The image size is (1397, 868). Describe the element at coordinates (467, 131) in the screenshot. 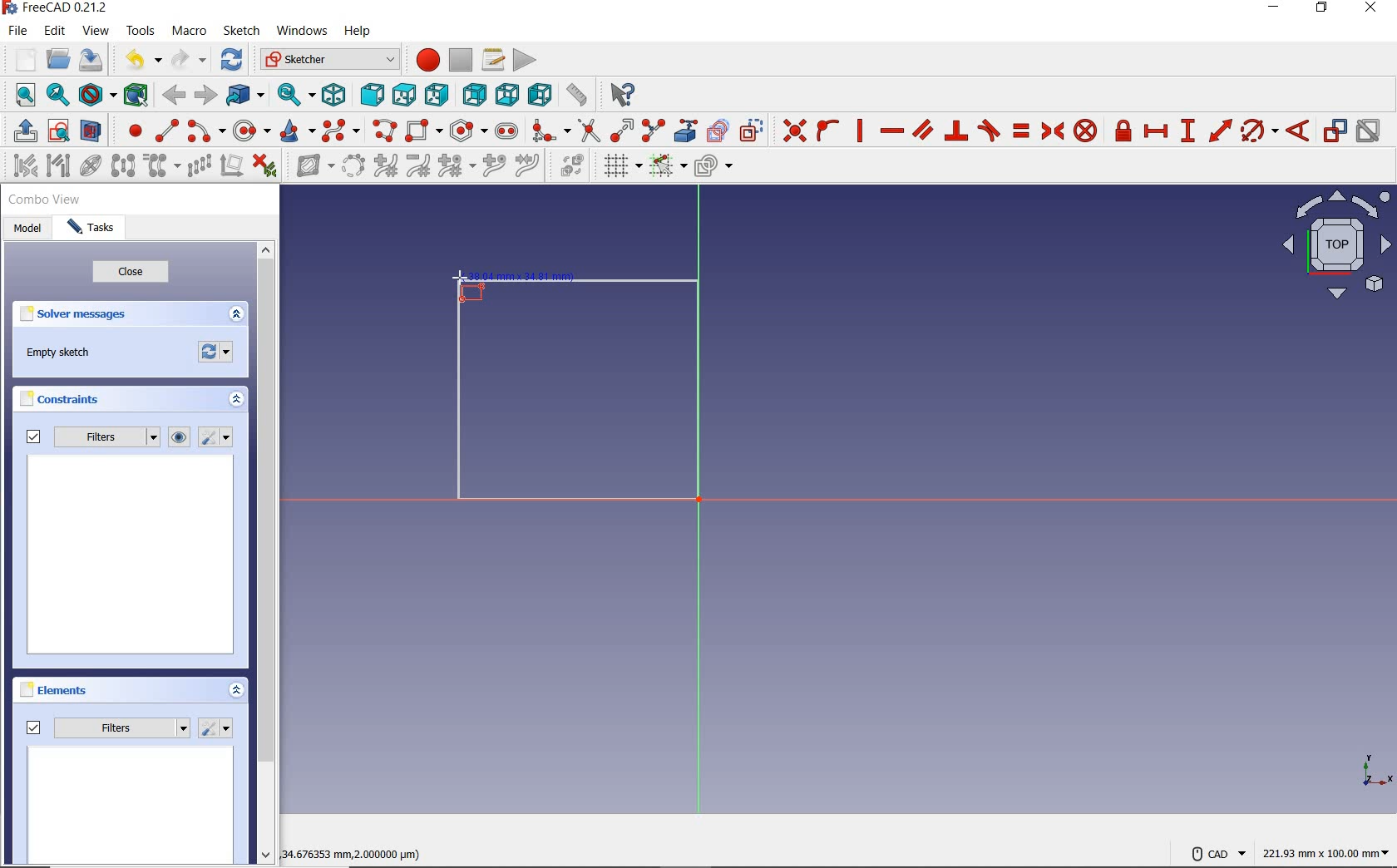

I see `create regular polygon` at that location.